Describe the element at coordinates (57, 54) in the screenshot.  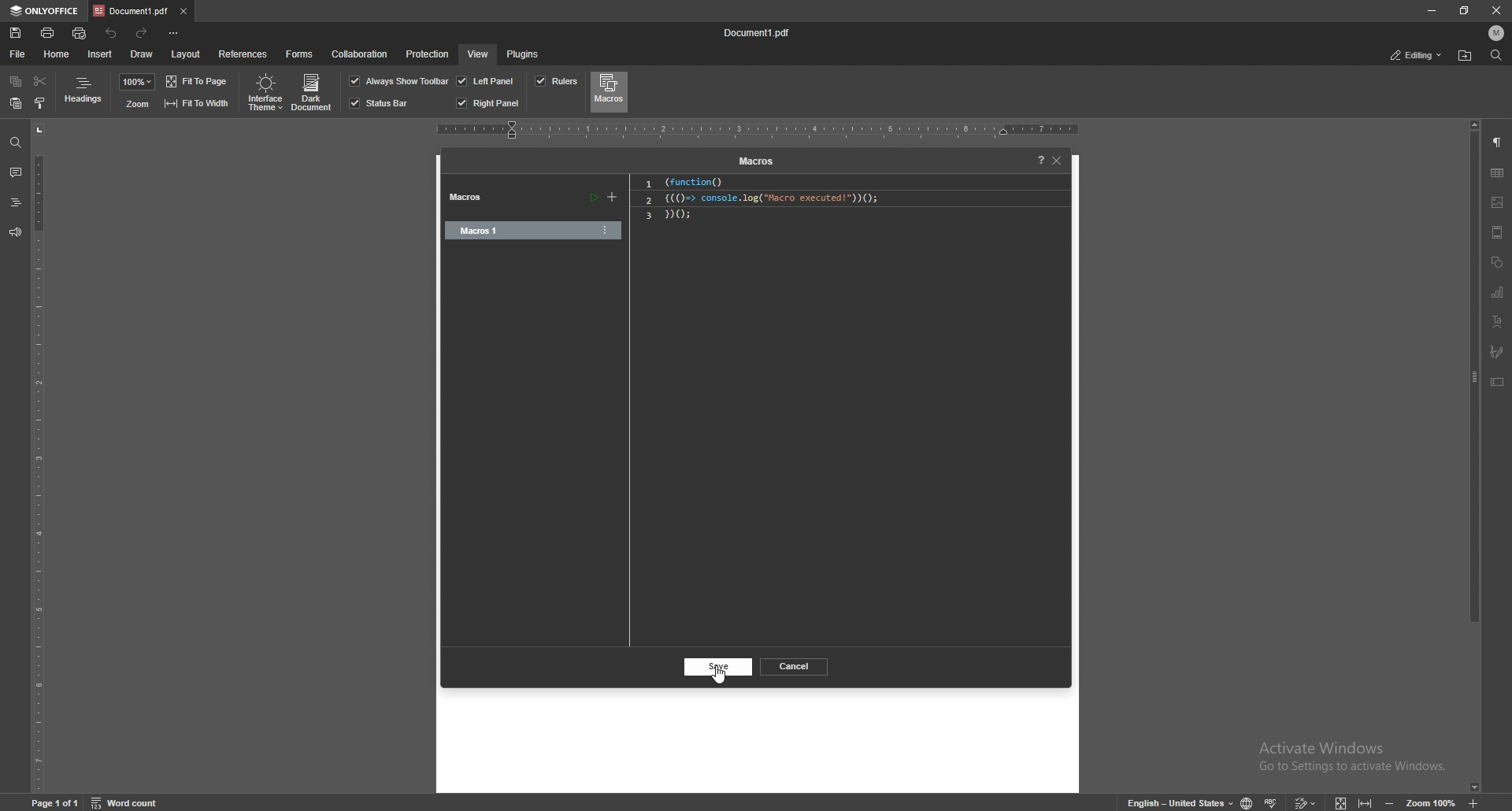
I see `home` at that location.